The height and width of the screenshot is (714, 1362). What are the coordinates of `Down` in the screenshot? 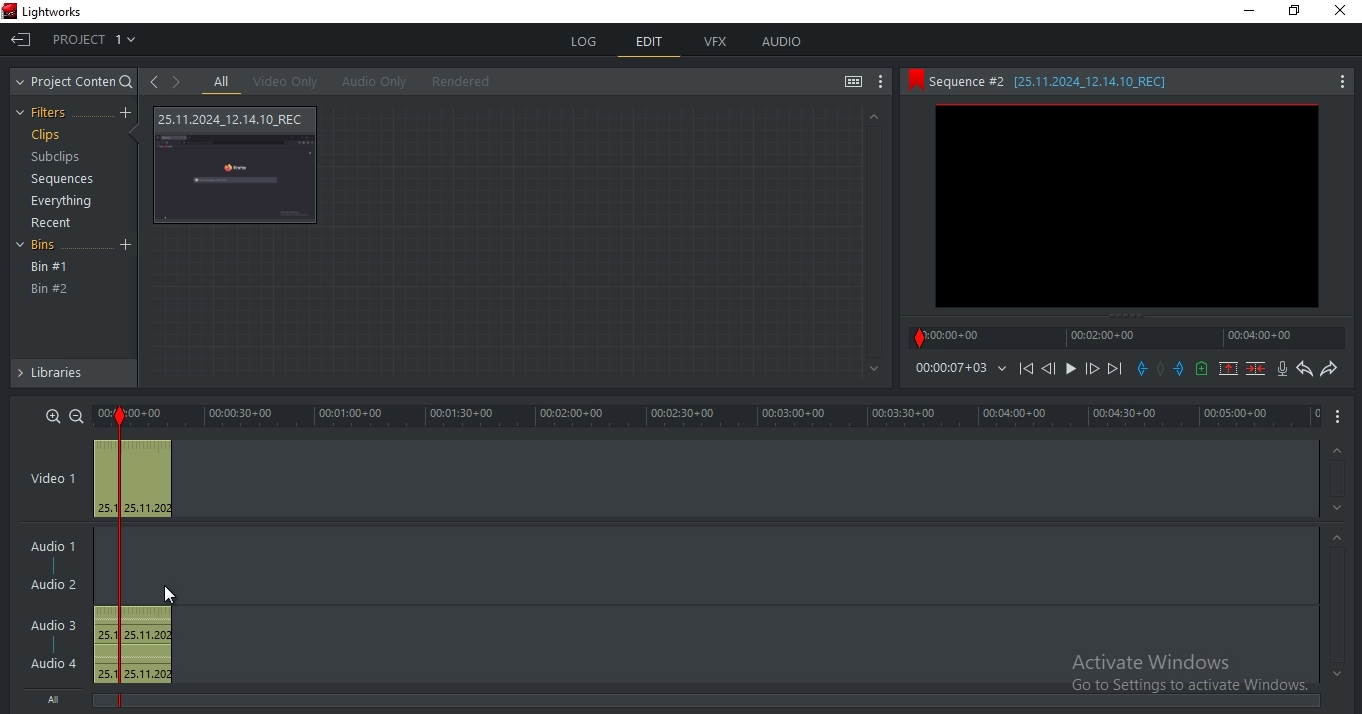 It's located at (1338, 508).